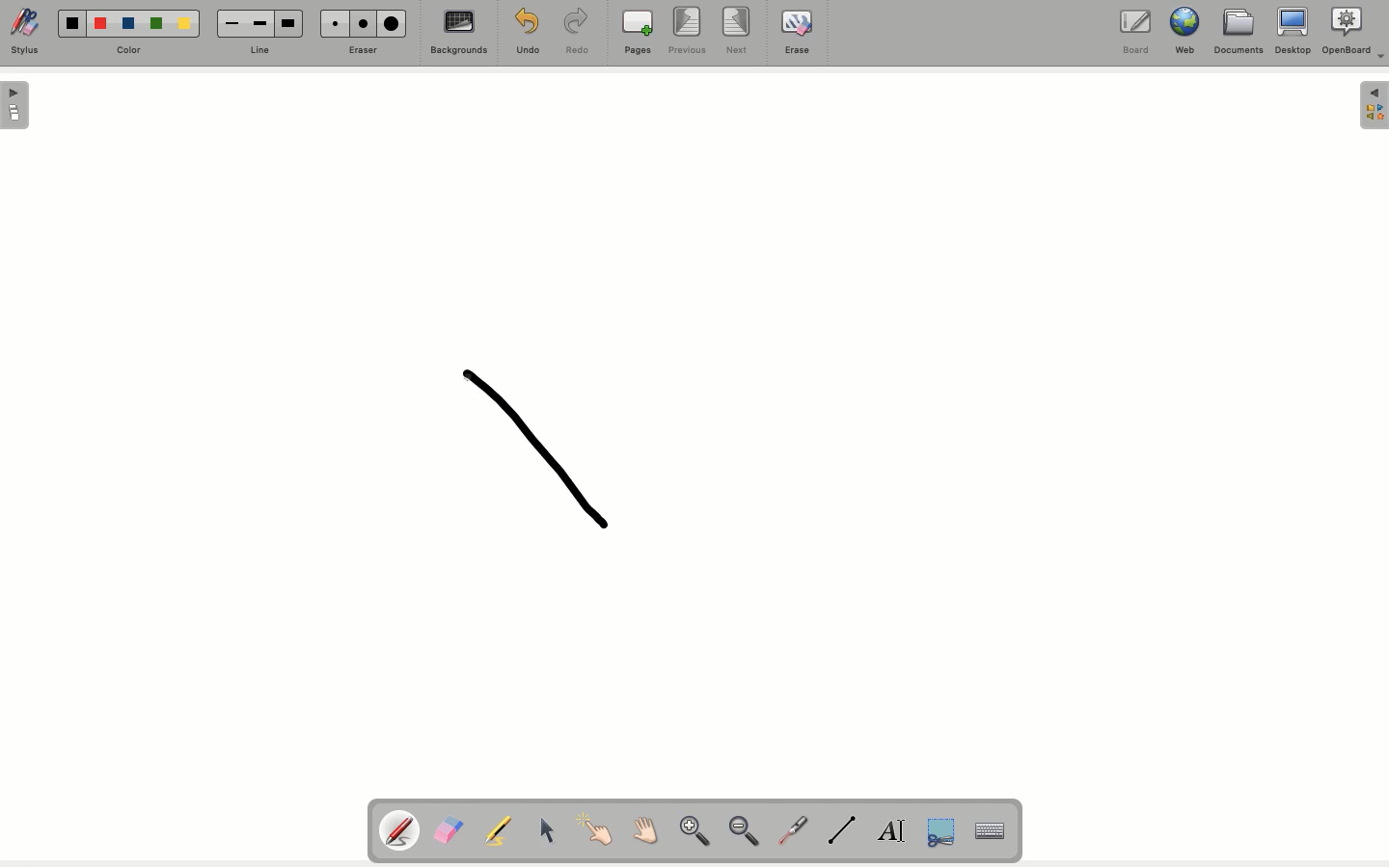  I want to click on Small, so click(336, 23).